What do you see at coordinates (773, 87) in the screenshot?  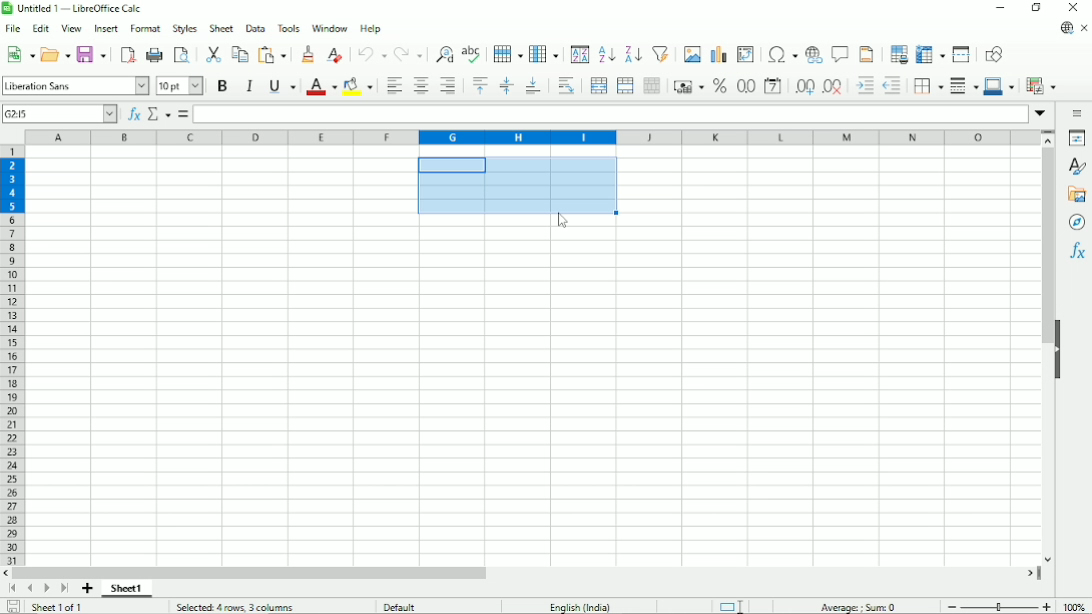 I see `Format as date` at bounding box center [773, 87].